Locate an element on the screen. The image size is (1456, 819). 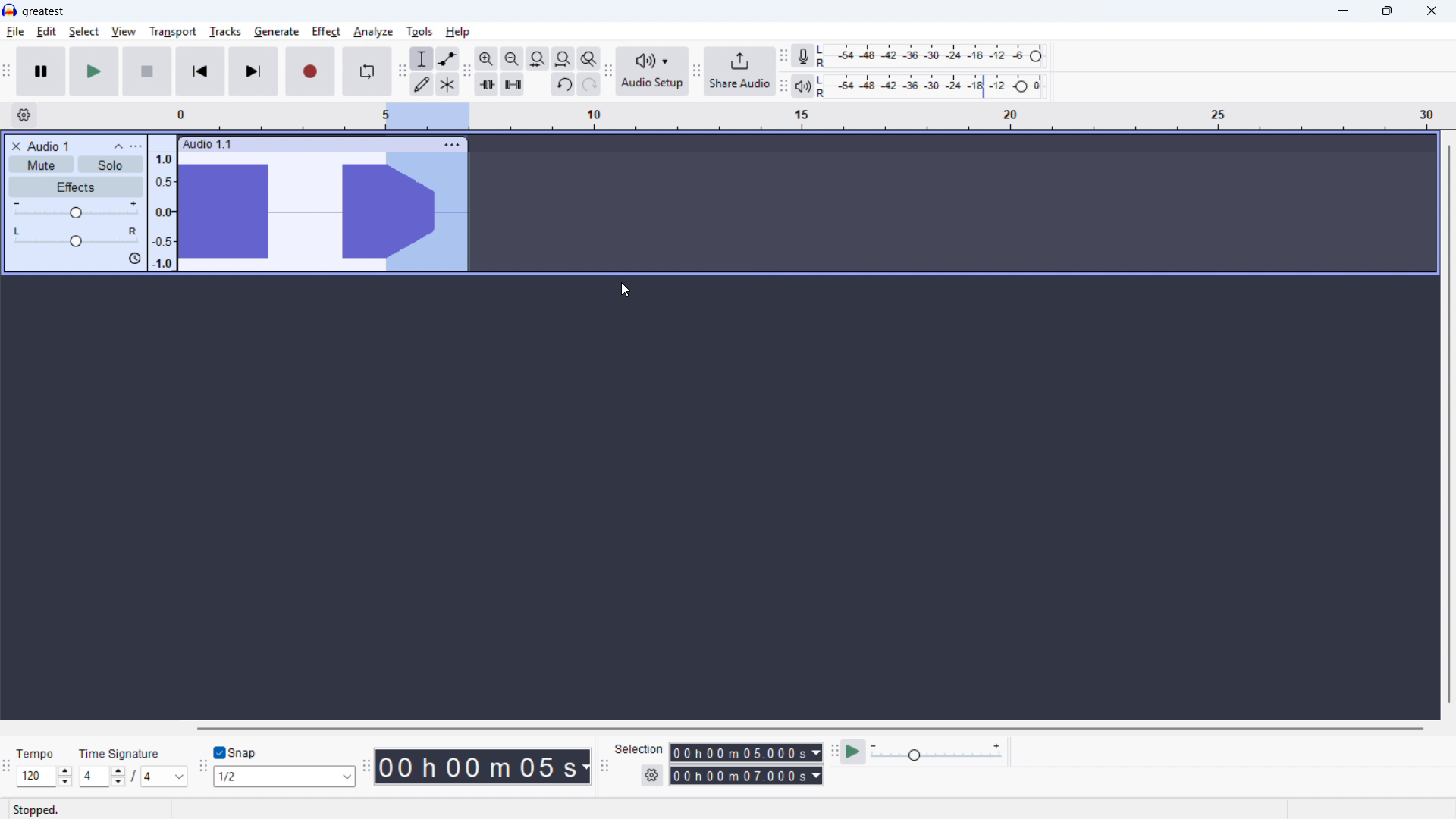
Record  is located at coordinates (310, 71).